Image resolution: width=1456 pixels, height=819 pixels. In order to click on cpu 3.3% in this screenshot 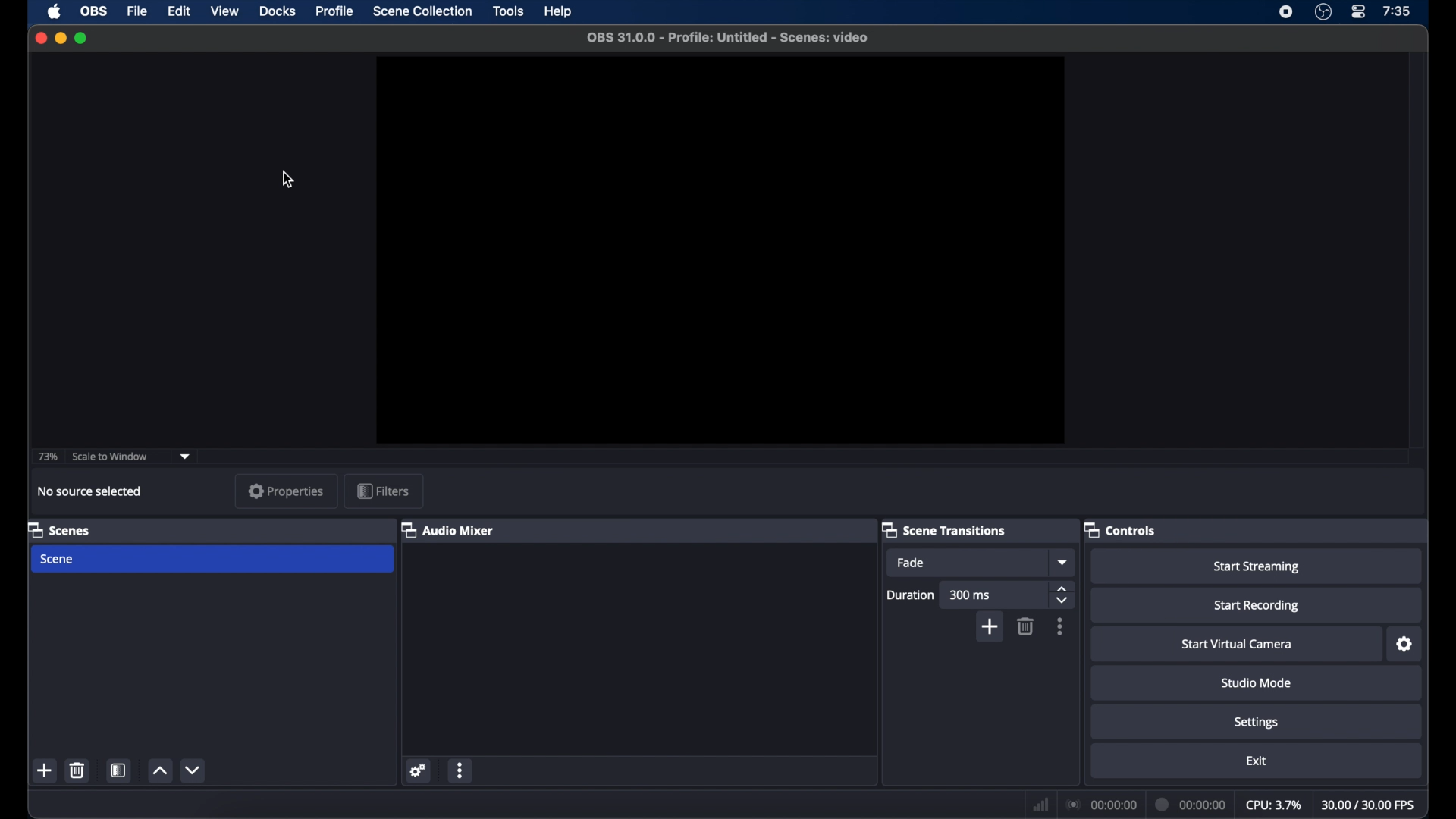, I will do `click(1273, 805)`.